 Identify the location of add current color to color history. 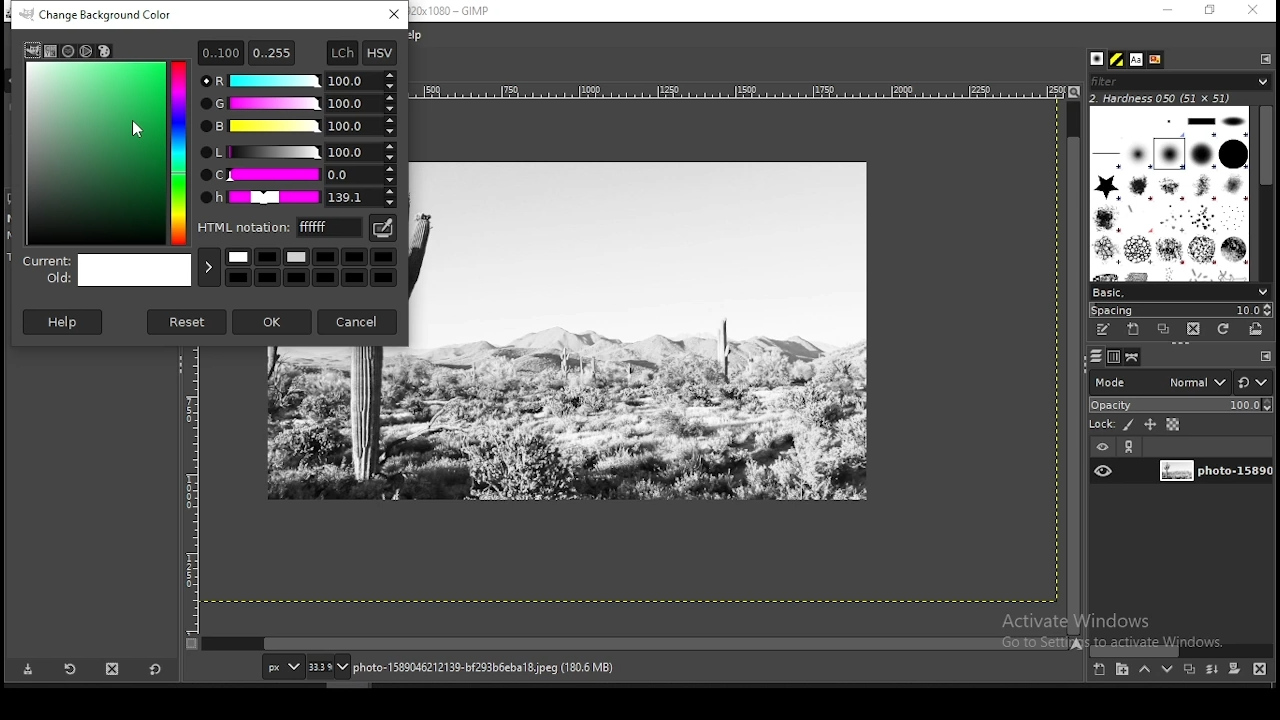
(209, 267).